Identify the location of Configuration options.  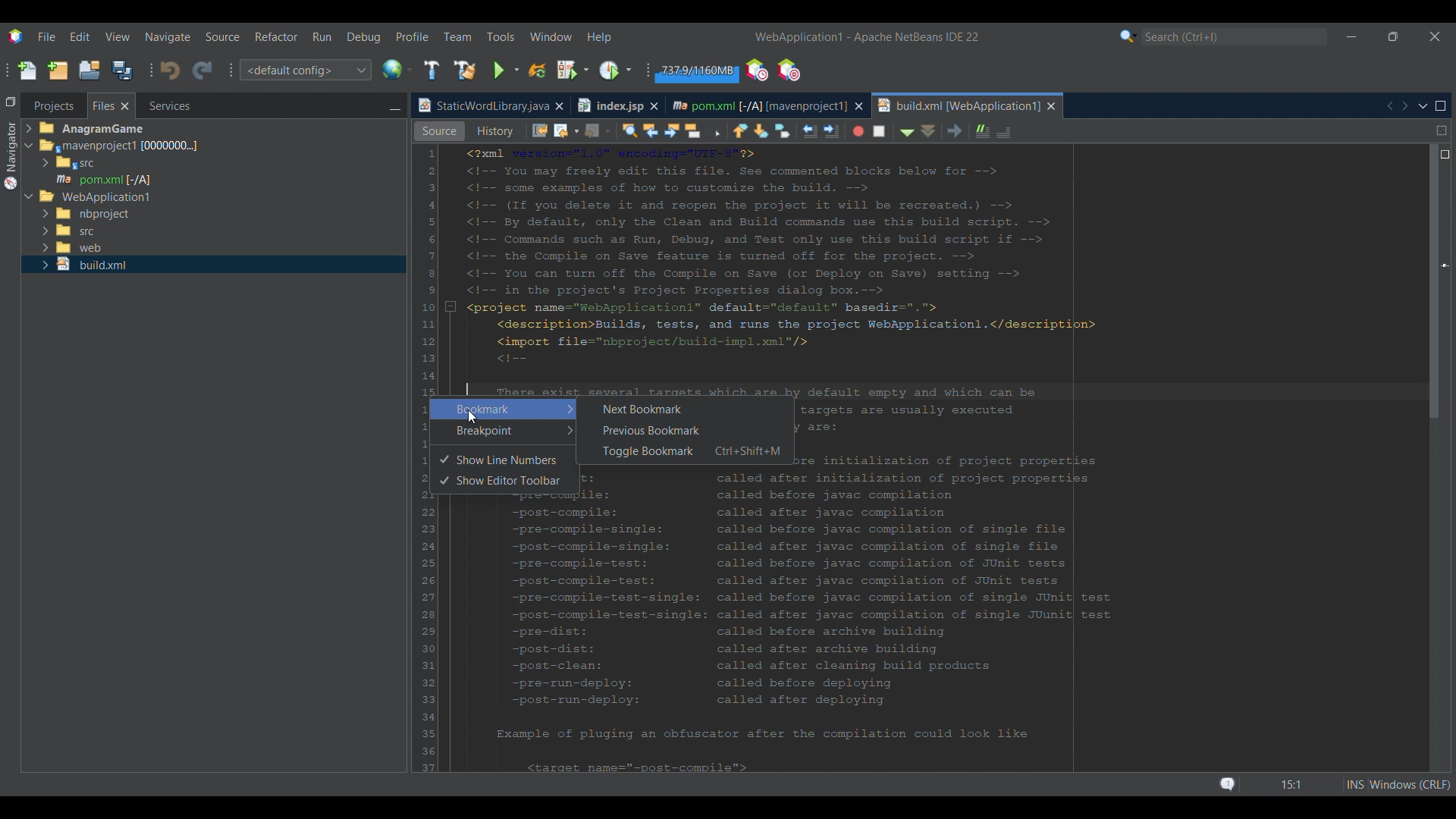
(305, 70).